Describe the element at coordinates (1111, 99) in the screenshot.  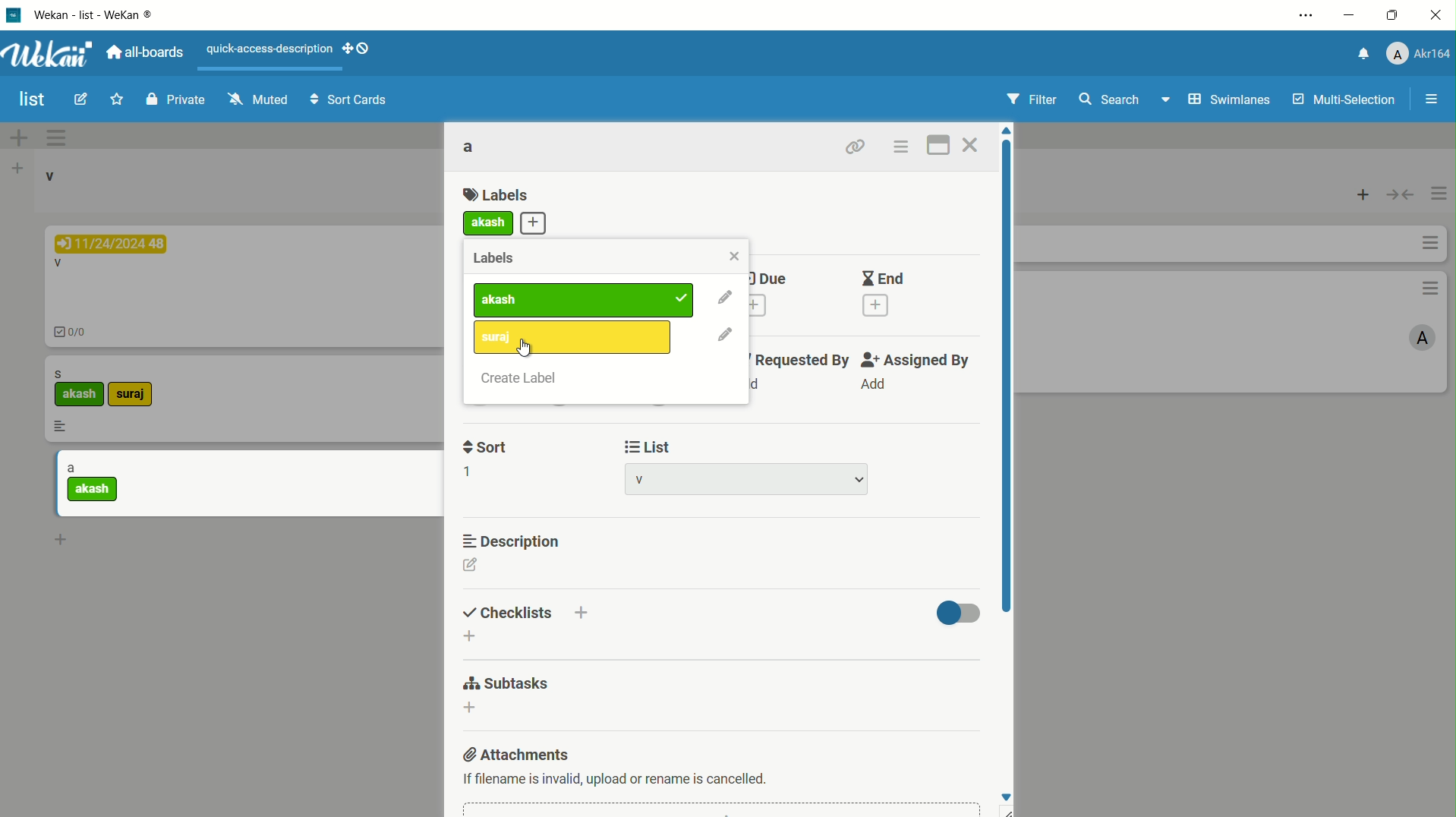
I see `search` at that location.